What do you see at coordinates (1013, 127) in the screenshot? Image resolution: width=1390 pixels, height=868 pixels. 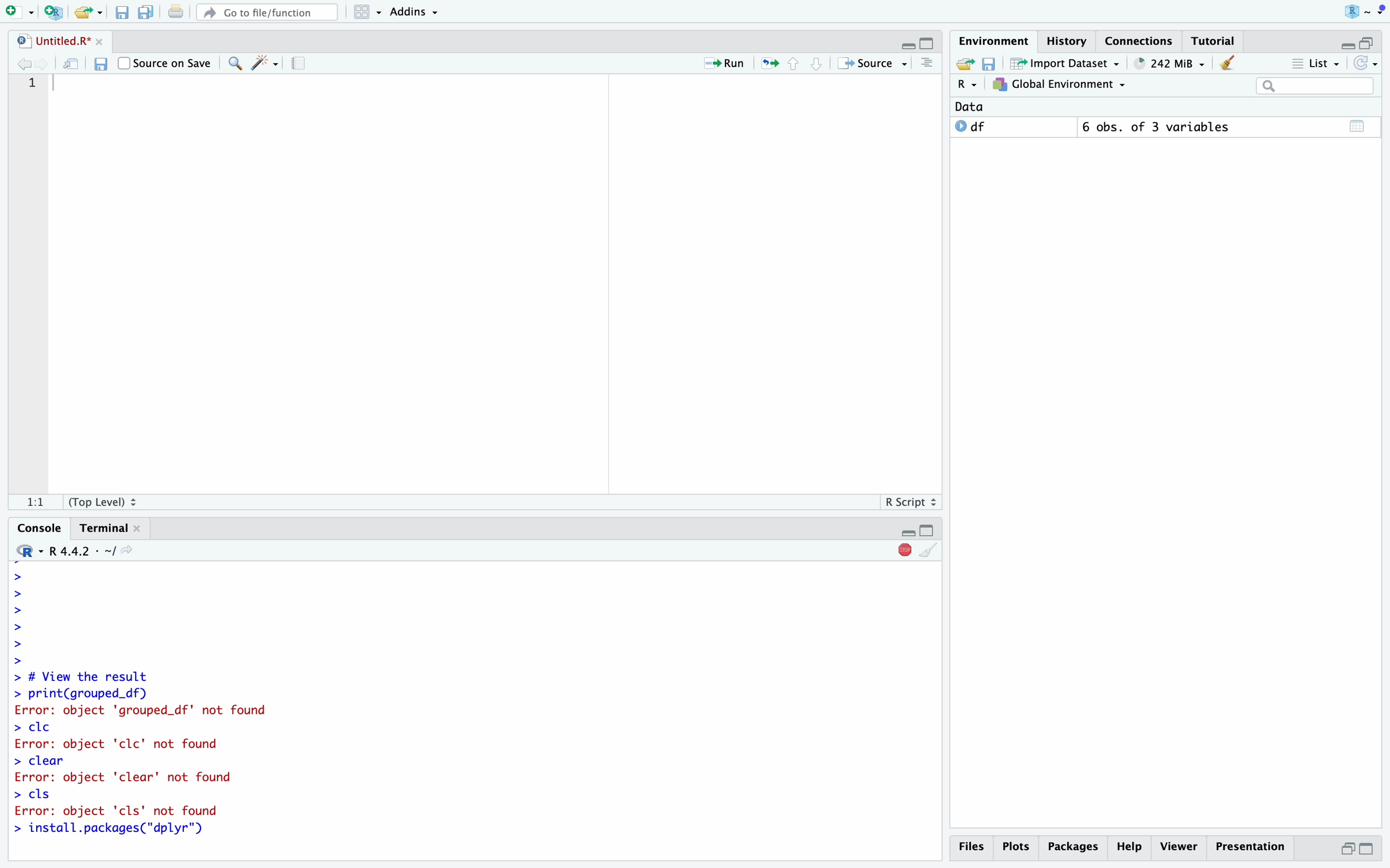 I see `O df` at bounding box center [1013, 127].